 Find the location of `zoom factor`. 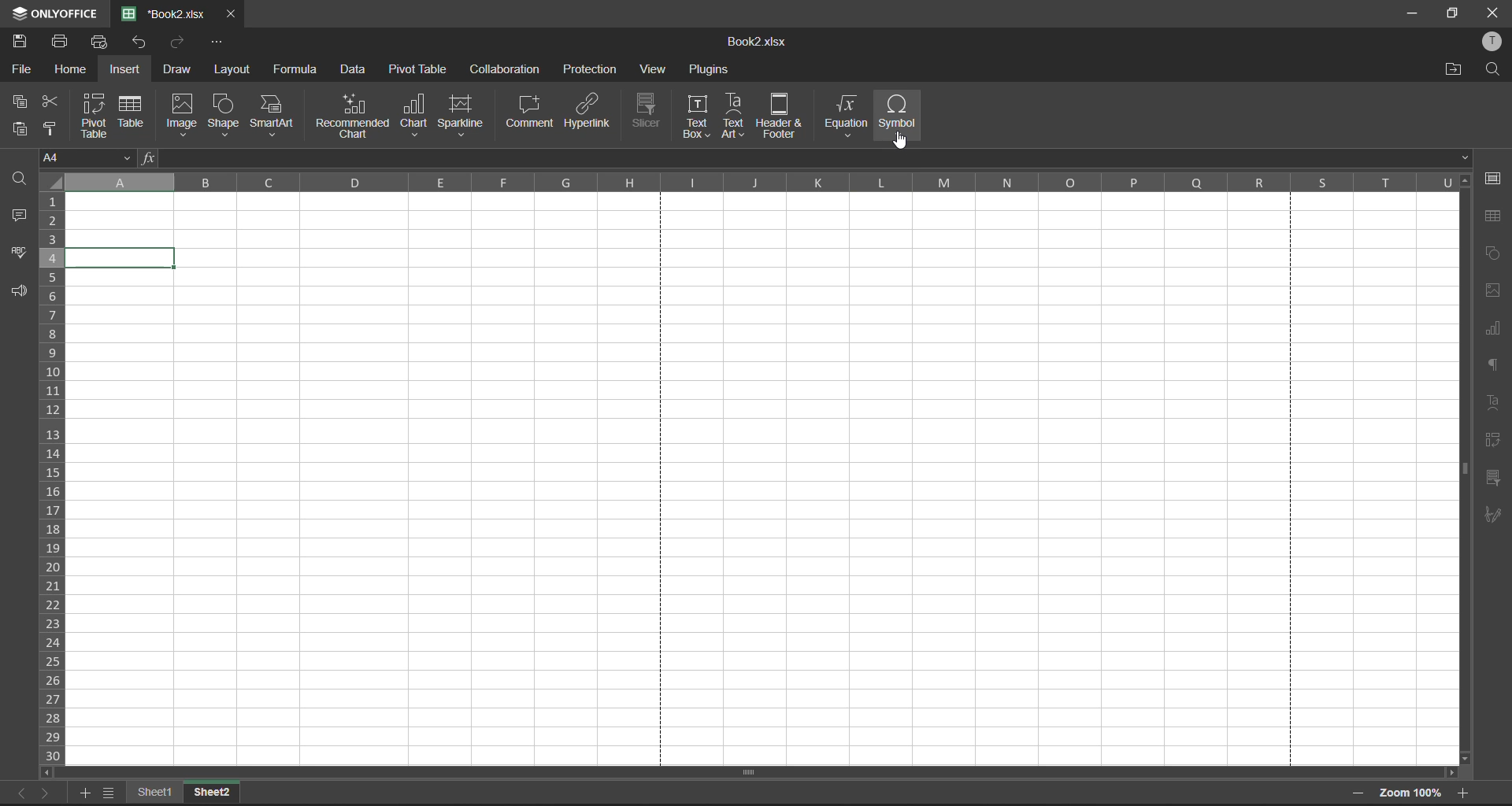

zoom factor is located at coordinates (1412, 793).